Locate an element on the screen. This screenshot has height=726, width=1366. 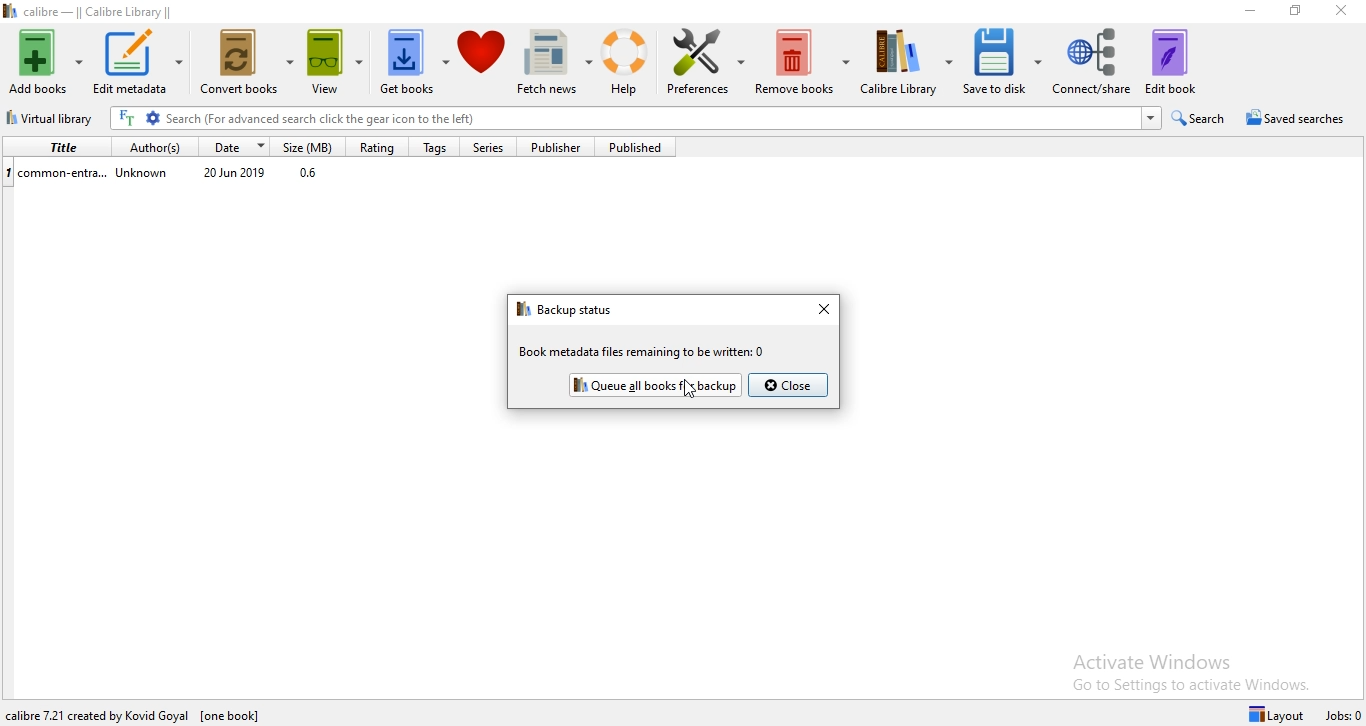
Unknown is located at coordinates (144, 176).